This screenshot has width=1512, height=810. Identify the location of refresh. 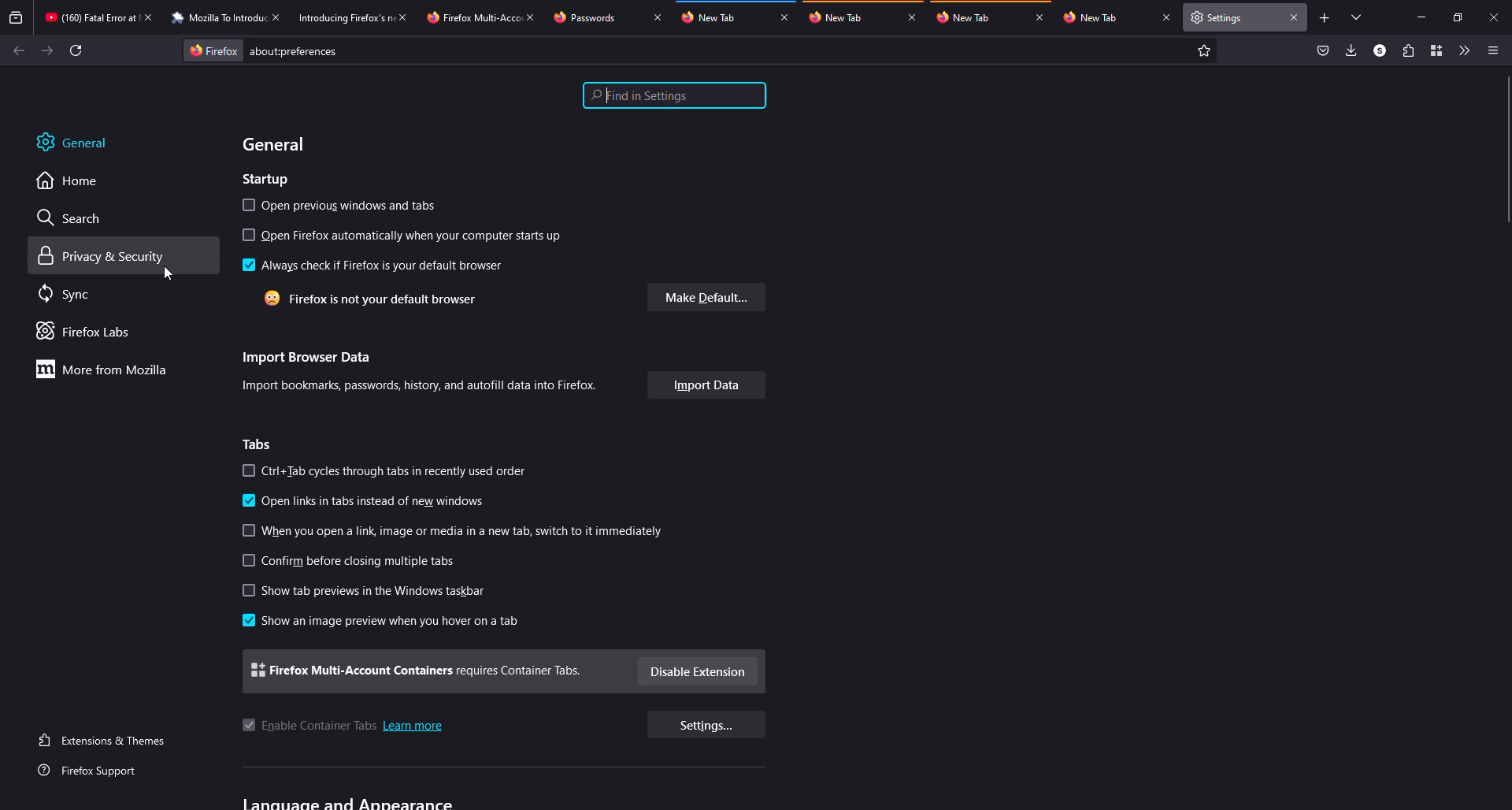
(76, 50).